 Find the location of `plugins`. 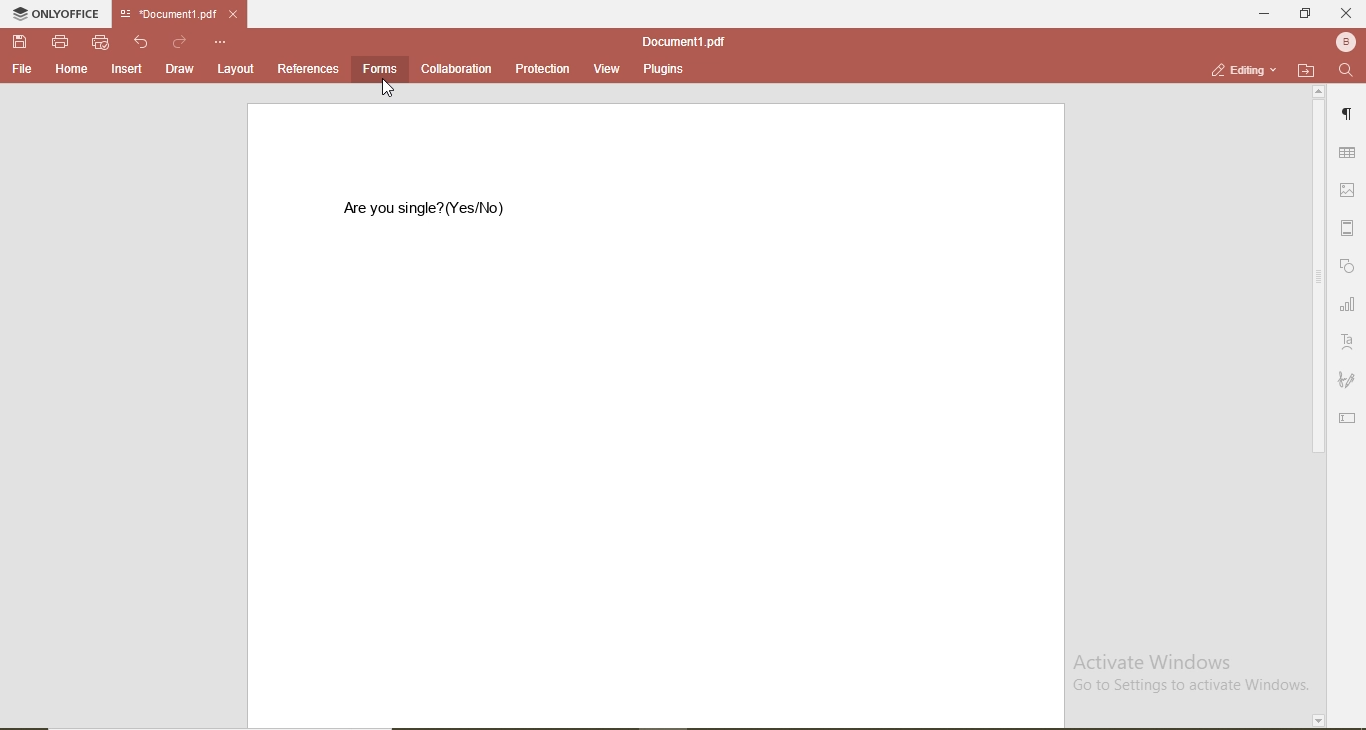

plugins is located at coordinates (660, 69).